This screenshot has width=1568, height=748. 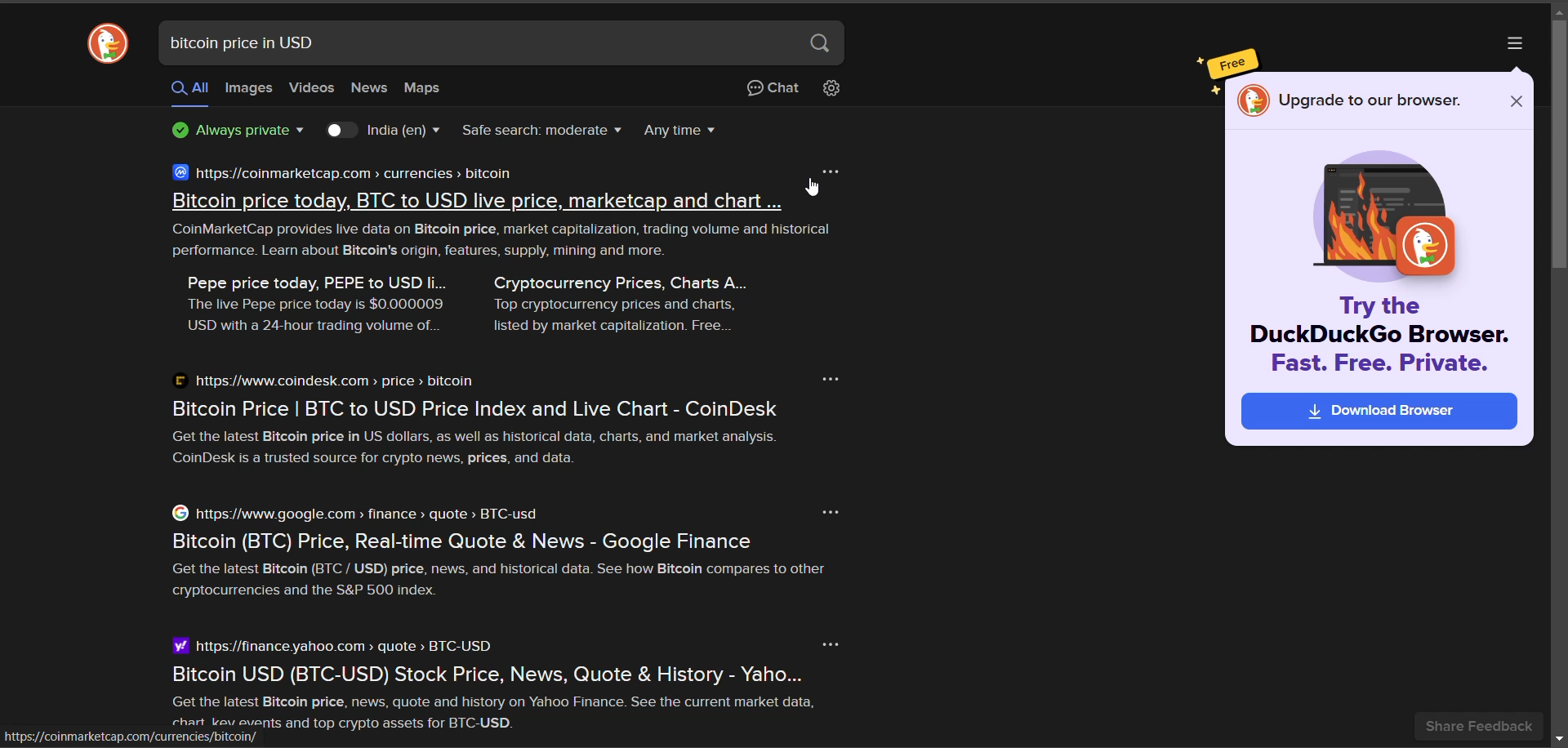 I want to click on result timeline dropdown, so click(x=678, y=132).